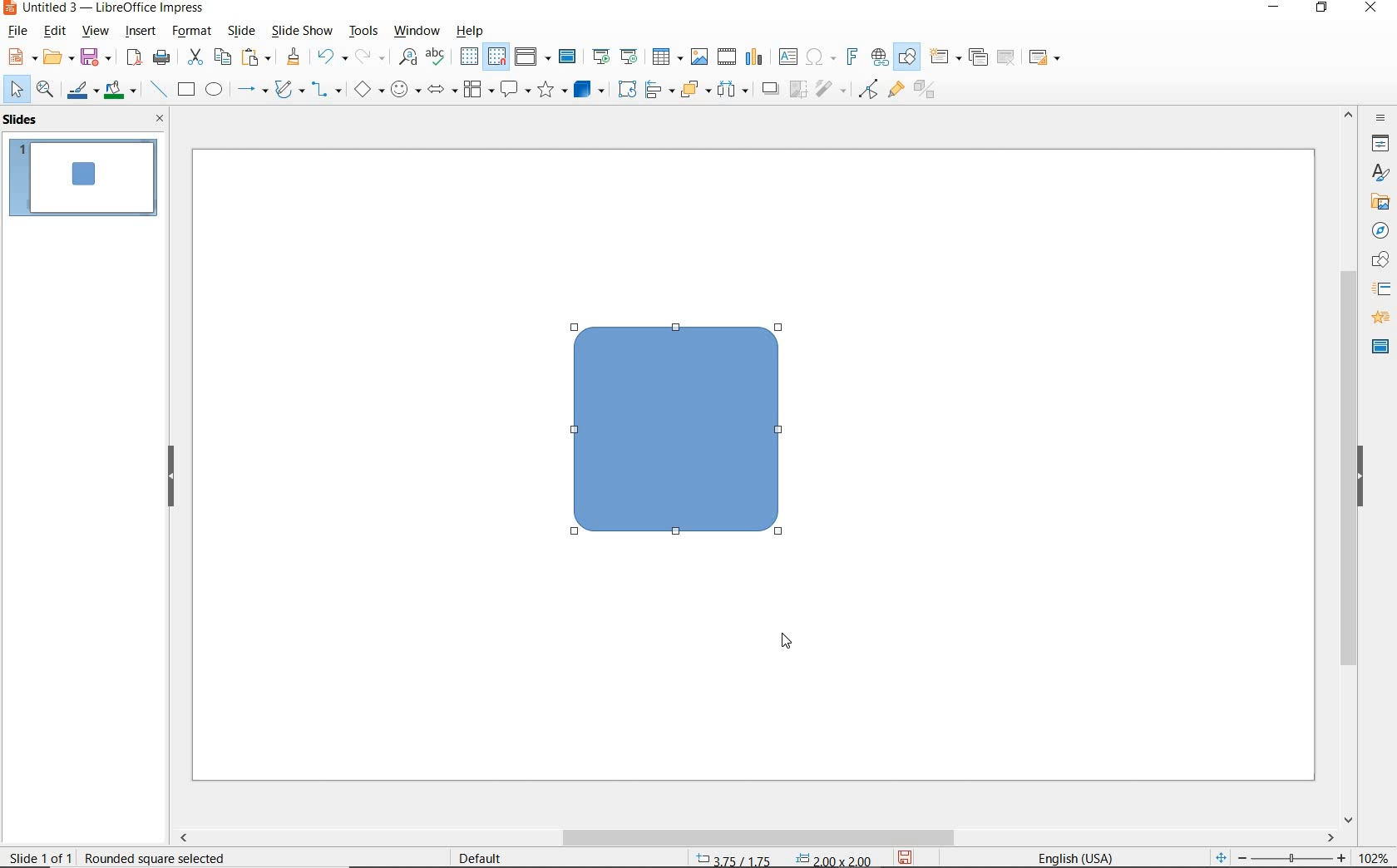 The height and width of the screenshot is (868, 1397). I want to click on open, so click(57, 57).